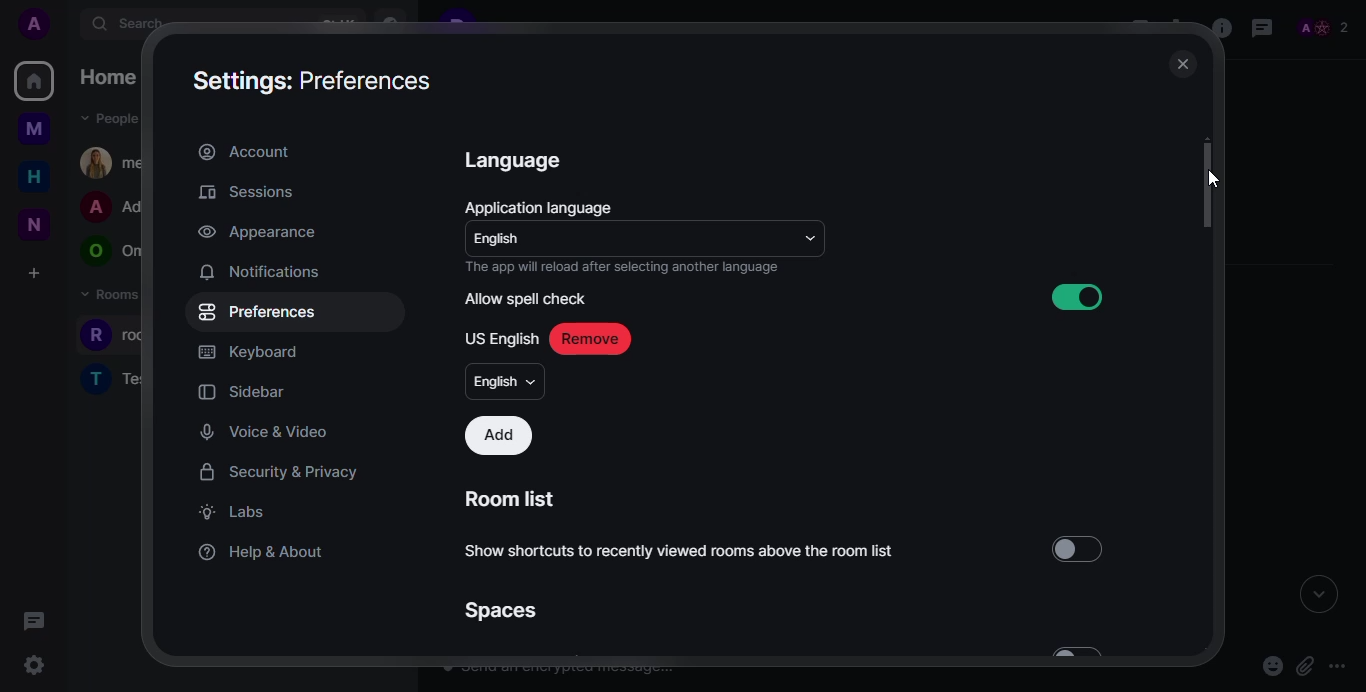 Image resolution: width=1366 pixels, height=692 pixels. What do you see at coordinates (1322, 25) in the screenshot?
I see `people` at bounding box center [1322, 25].